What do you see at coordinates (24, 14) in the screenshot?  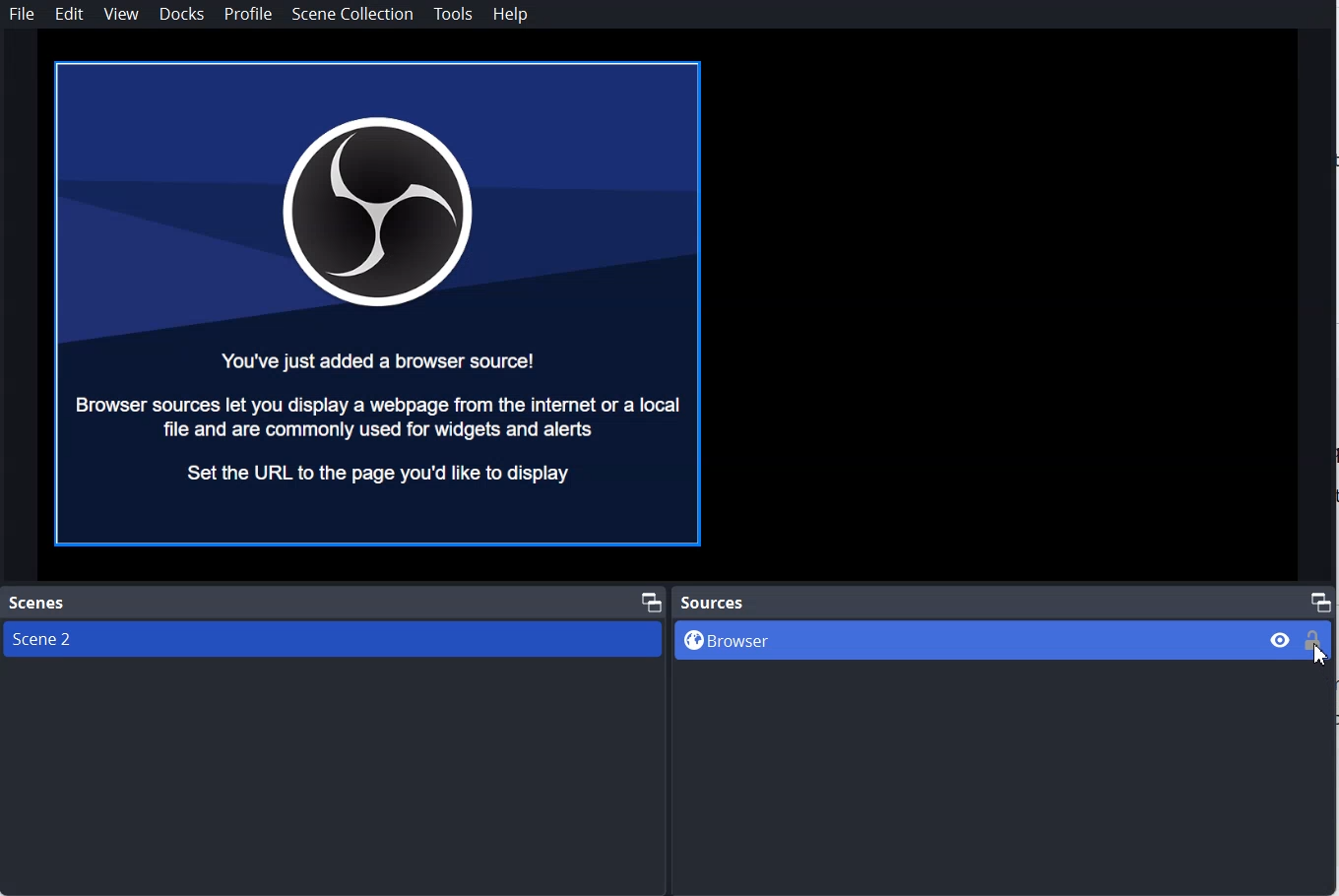 I see `File` at bounding box center [24, 14].